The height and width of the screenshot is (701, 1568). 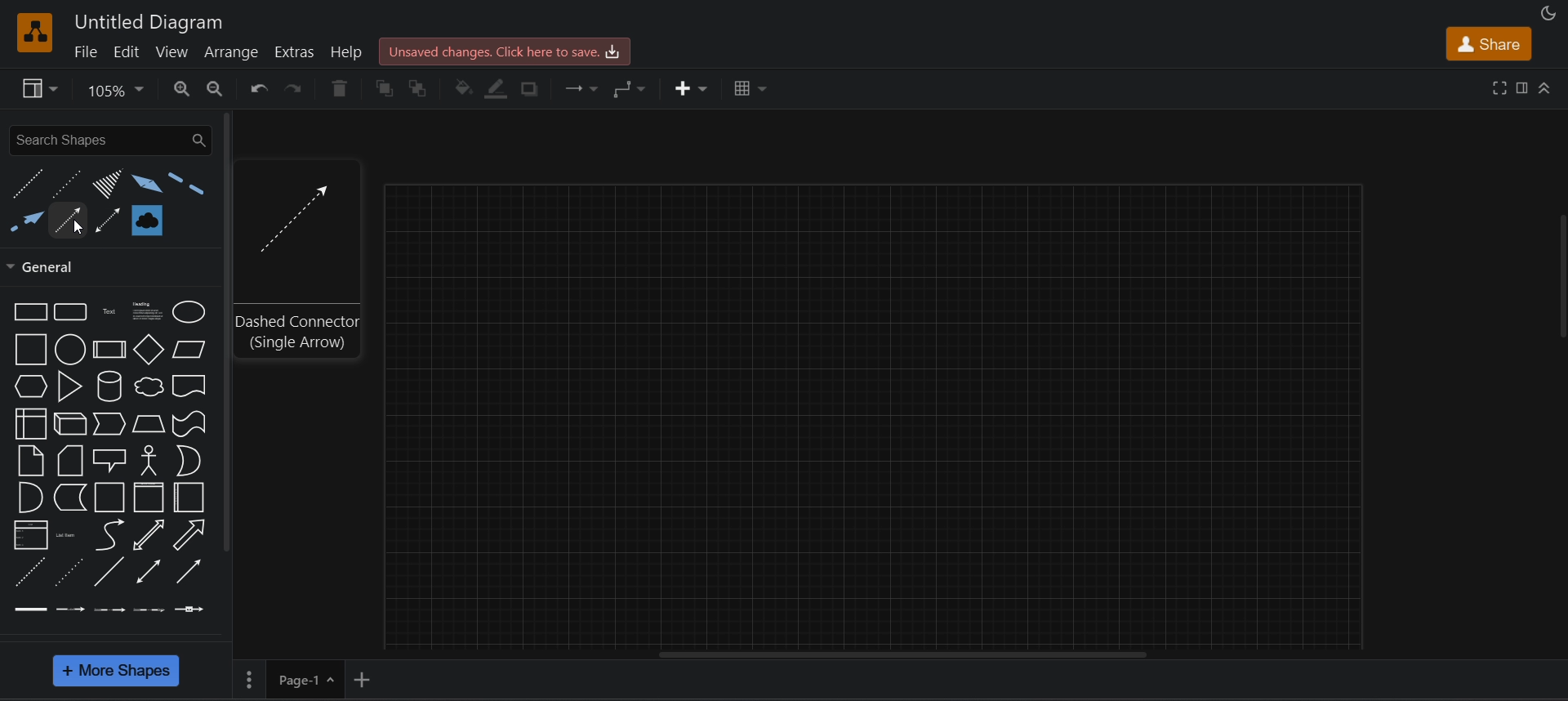 I want to click on diamond, so click(x=149, y=350).